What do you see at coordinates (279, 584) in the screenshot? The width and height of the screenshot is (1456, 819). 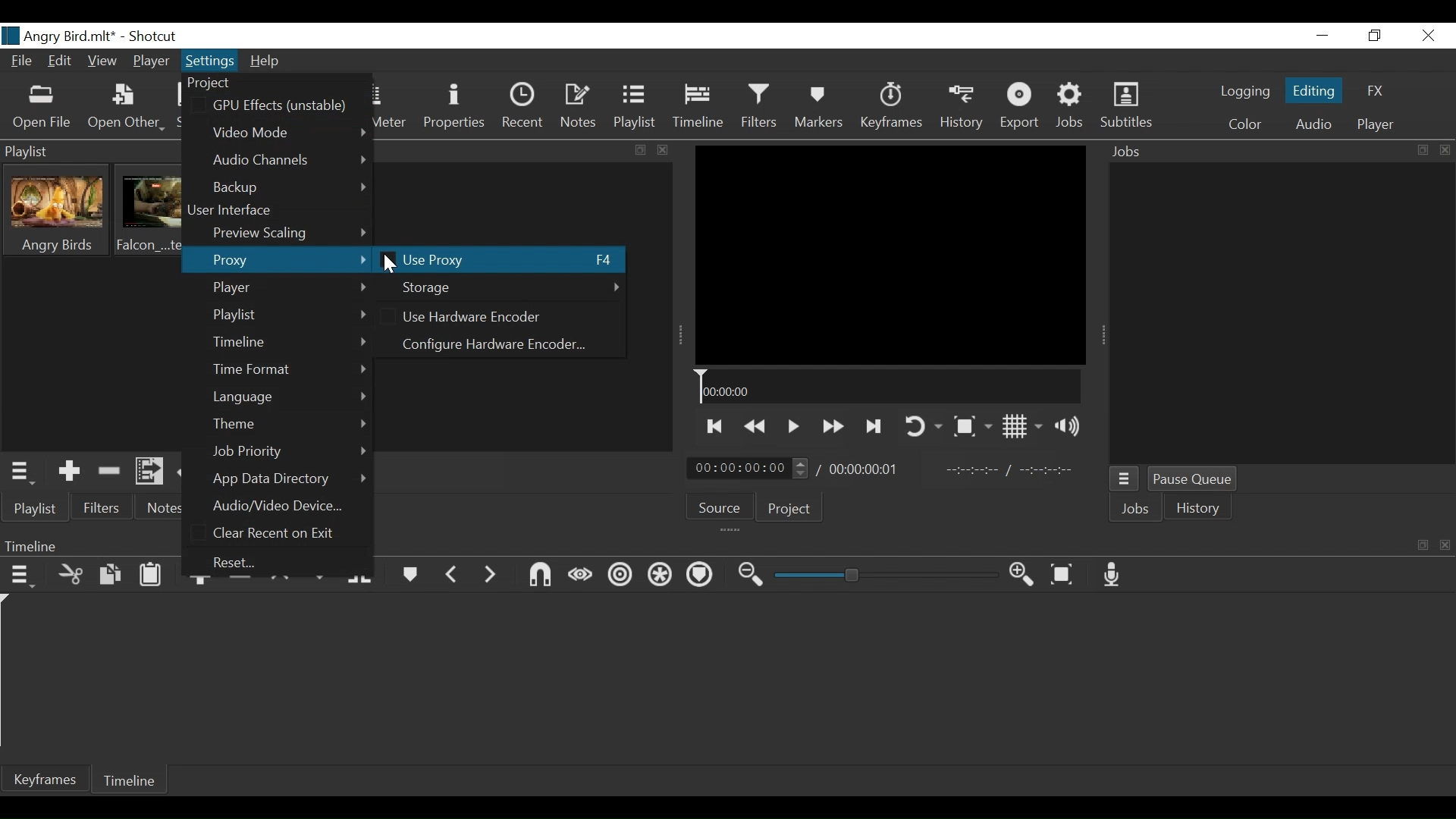 I see `lift` at bounding box center [279, 584].